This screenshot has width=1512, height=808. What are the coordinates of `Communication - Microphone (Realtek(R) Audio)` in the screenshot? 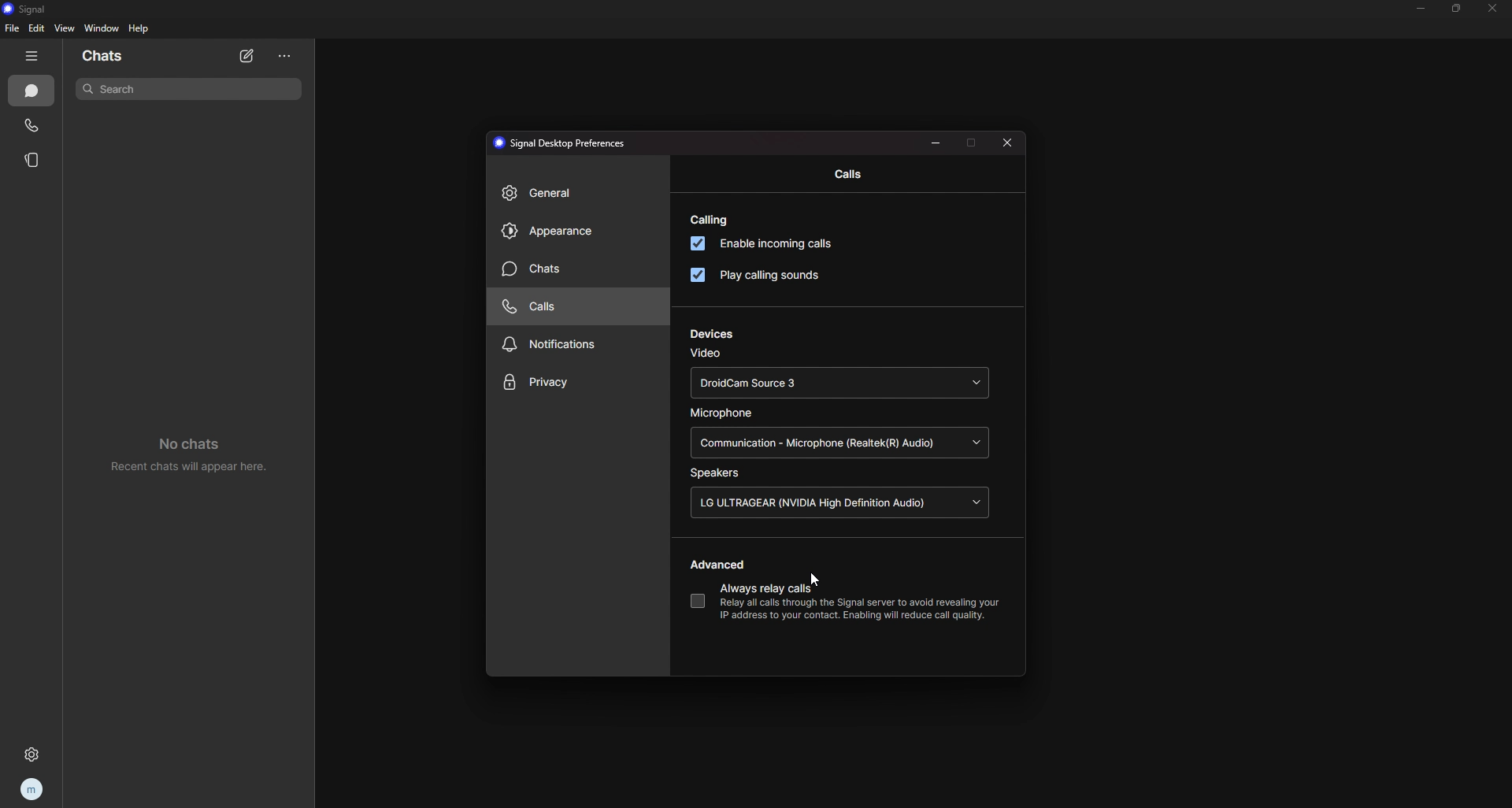 It's located at (837, 442).